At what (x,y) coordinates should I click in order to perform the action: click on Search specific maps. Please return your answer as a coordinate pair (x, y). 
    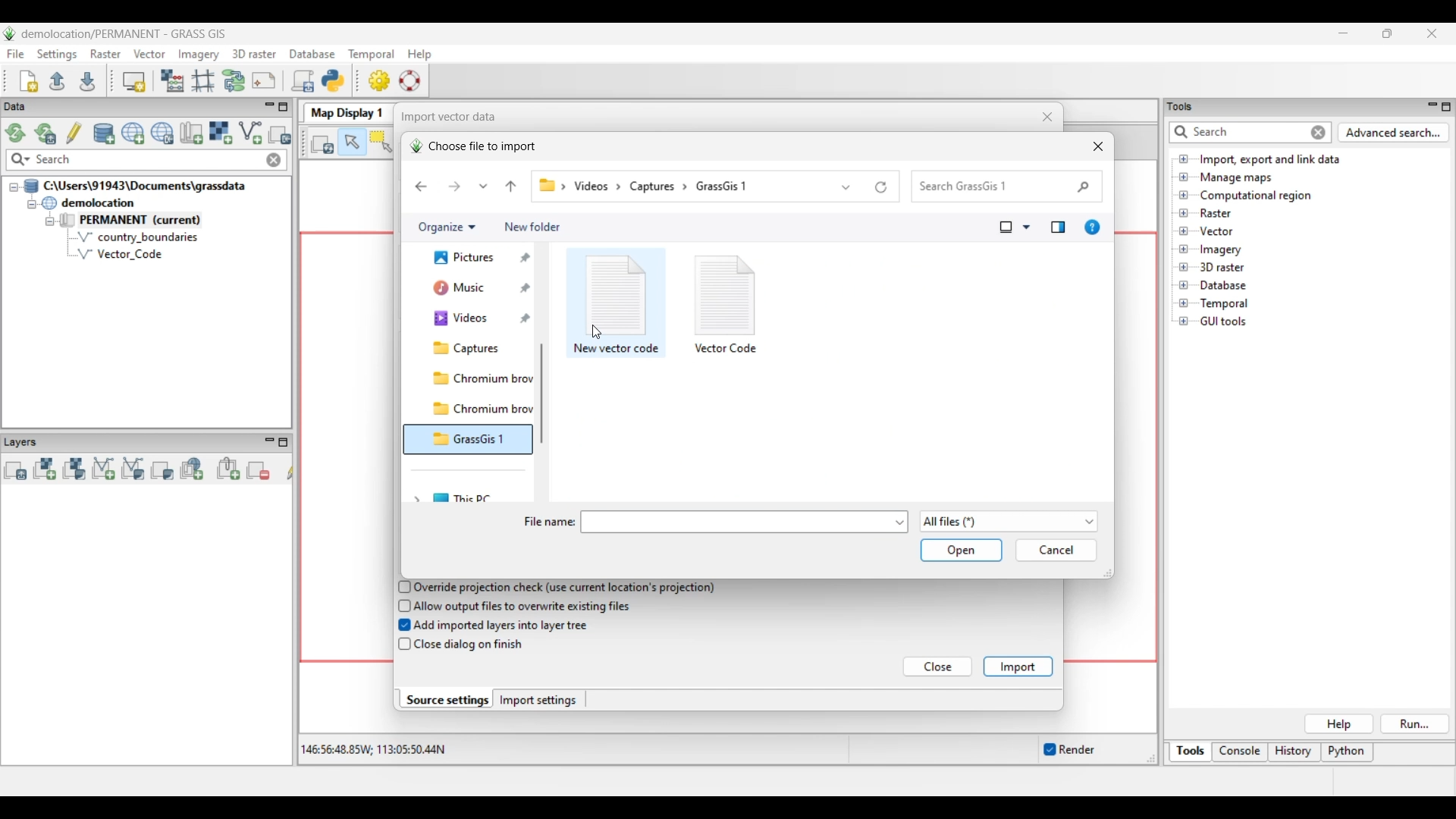
    Looking at the image, I should click on (19, 160).